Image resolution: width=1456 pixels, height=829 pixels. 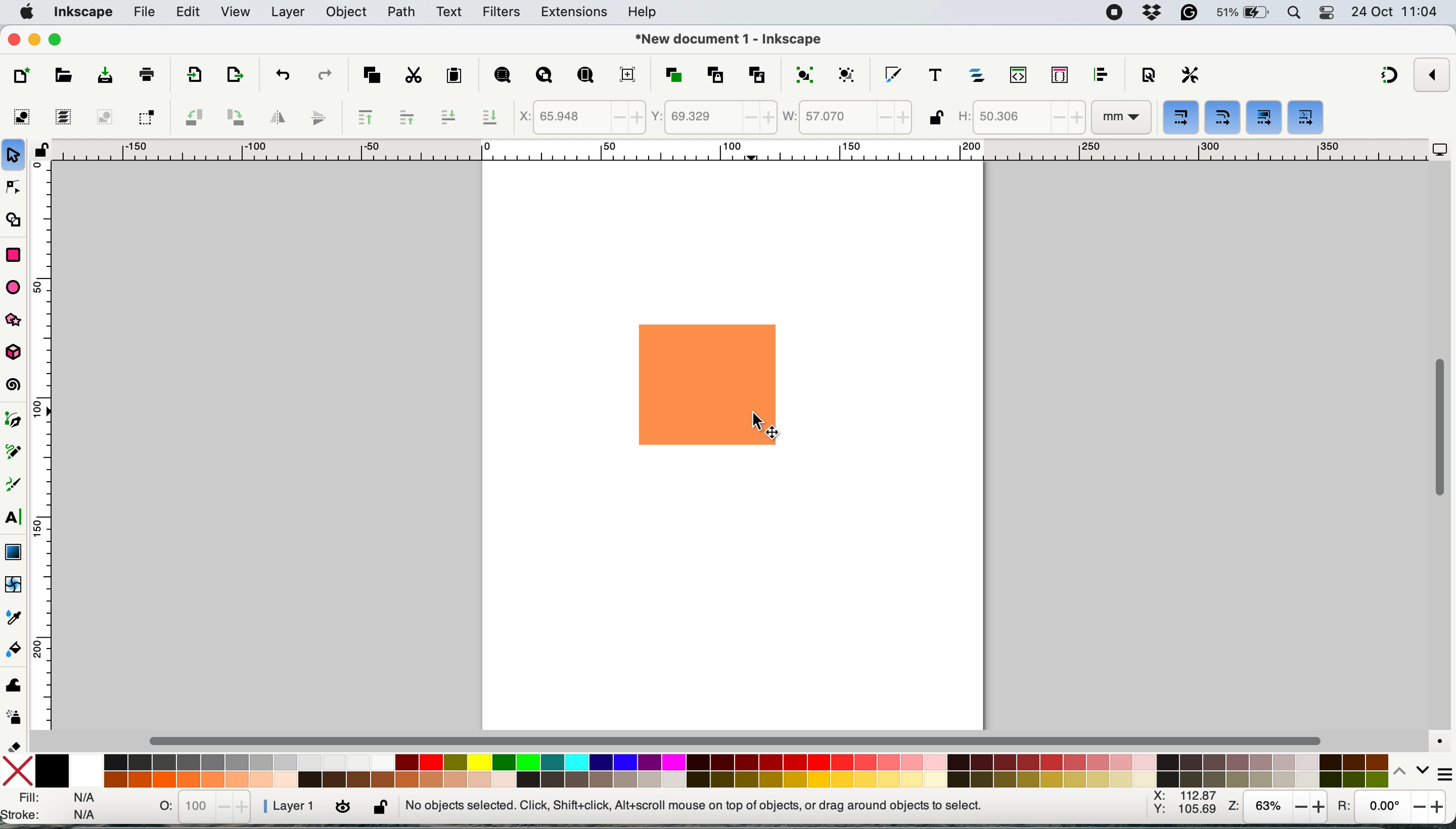 What do you see at coordinates (1395, 11) in the screenshot?
I see `date and time` at bounding box center [1395, 11].